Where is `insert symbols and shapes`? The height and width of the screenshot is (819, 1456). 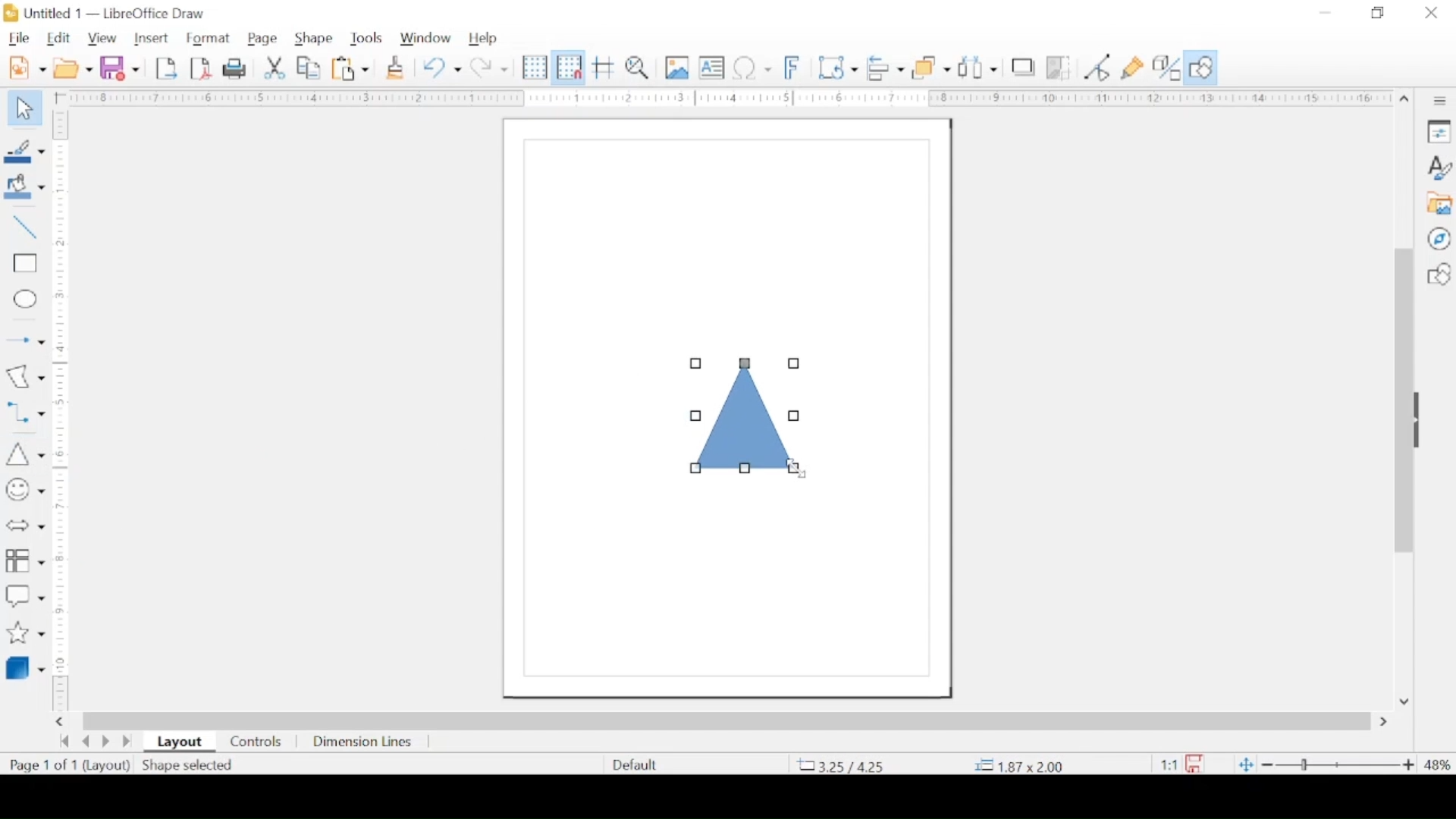
insert symbols and shapes is located at coordinates (24, 490).